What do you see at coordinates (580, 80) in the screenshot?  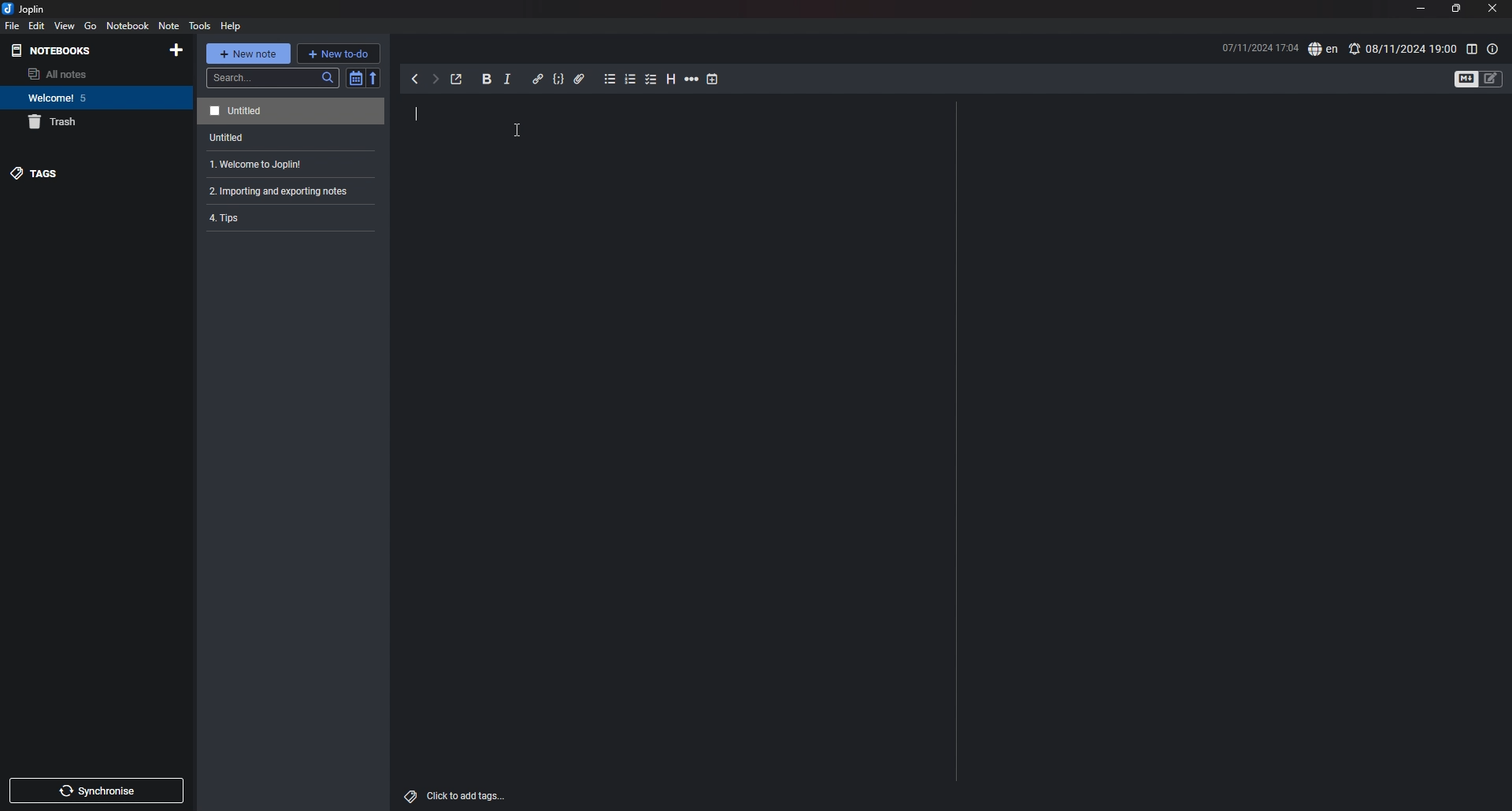 I see `attachment` at bounding box center [580, 80].